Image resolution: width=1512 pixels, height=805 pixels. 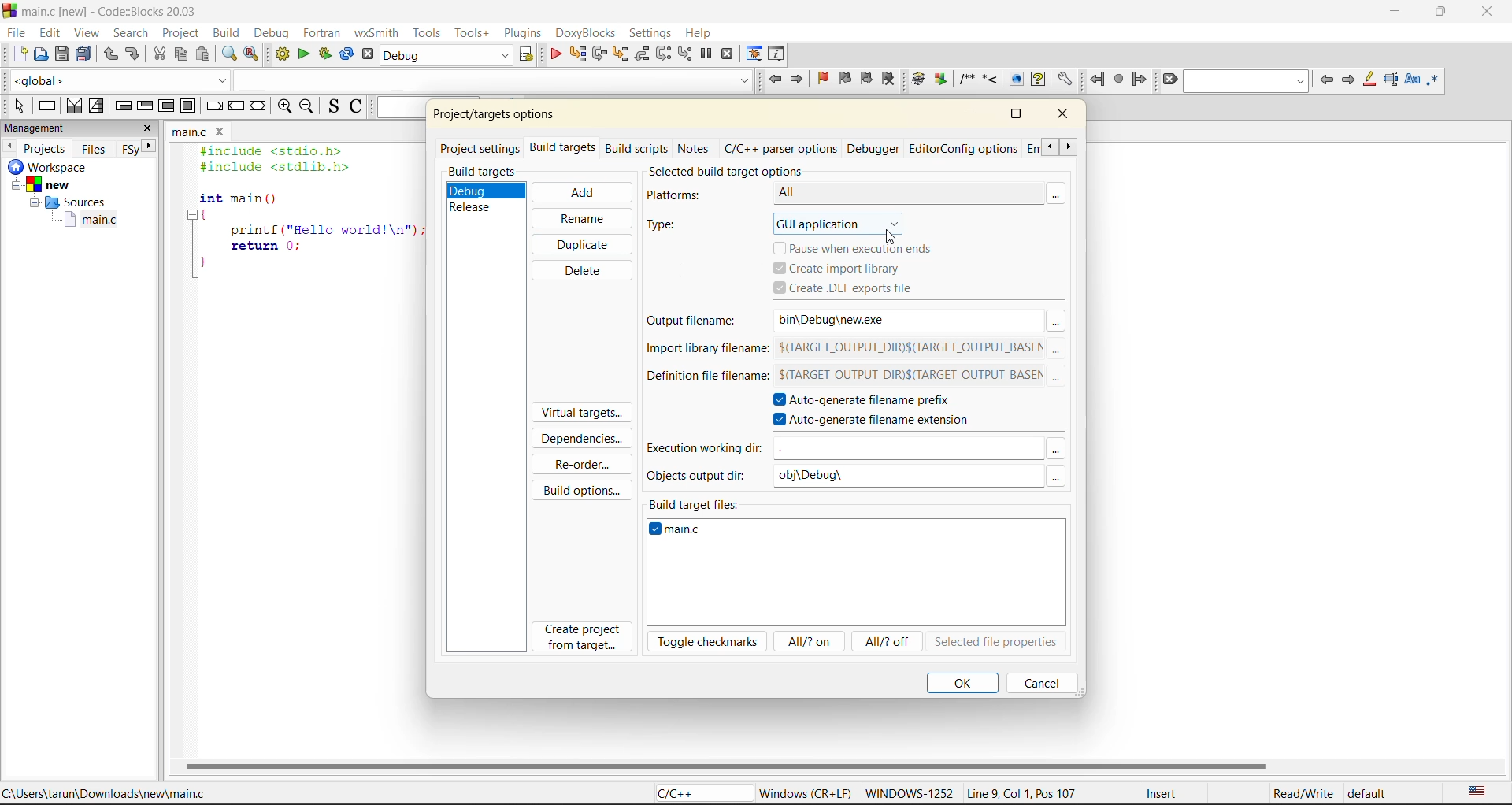 I want to click on jump back, so click(x=774, y=80).